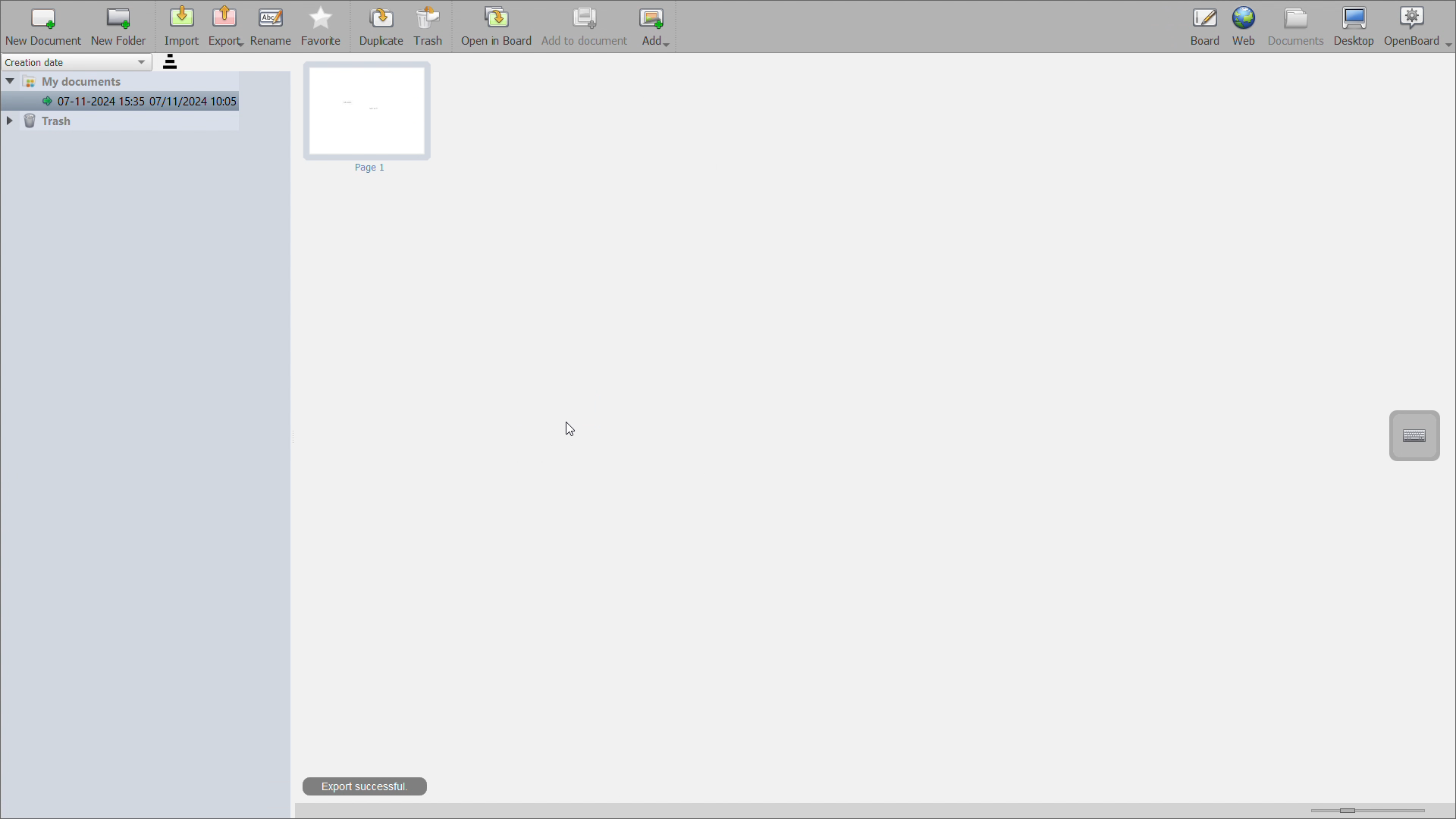  Describe the element at coordinates (585, 26) in the screenshot. I see `add to document` at that location.